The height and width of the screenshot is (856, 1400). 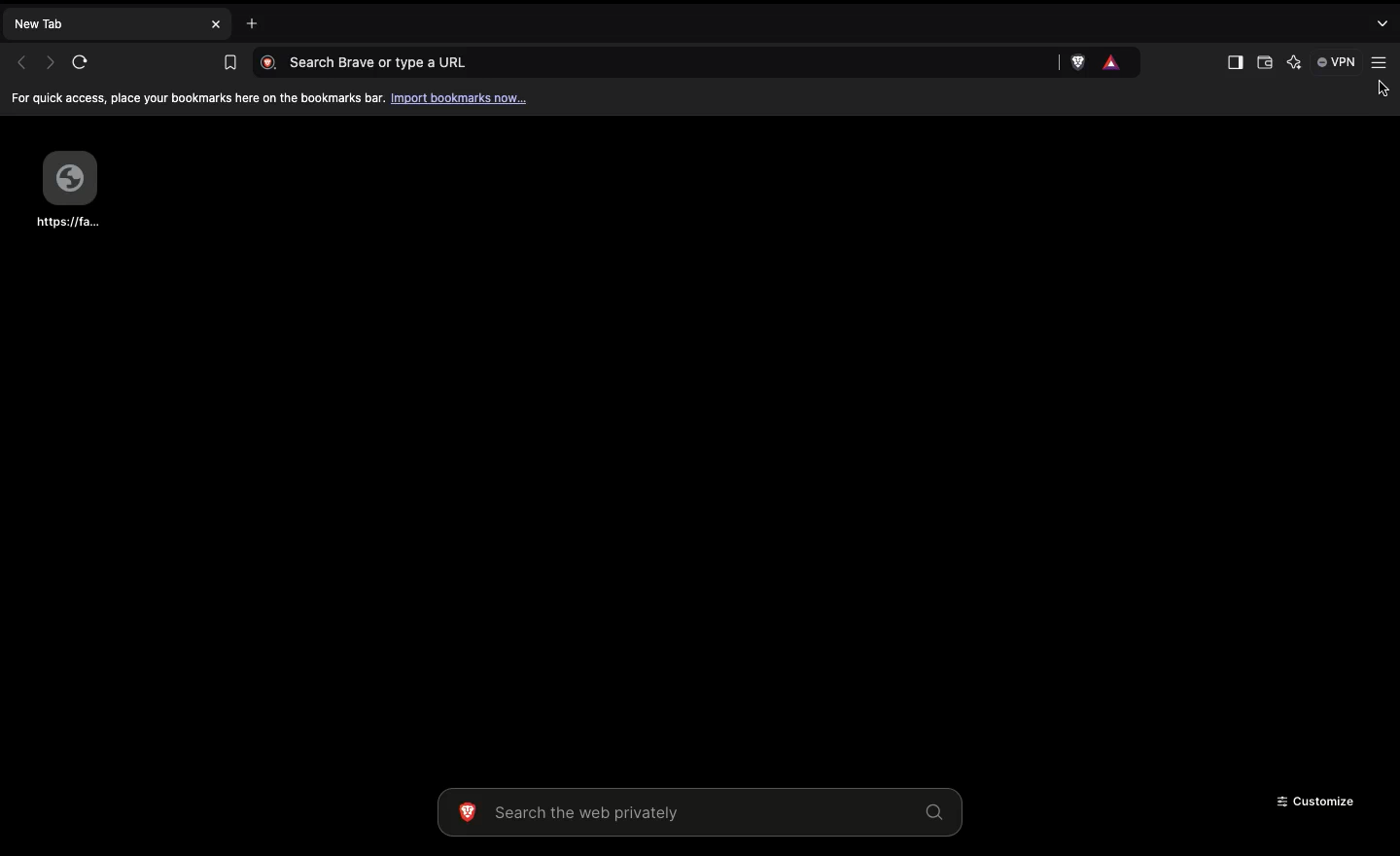 I want to click on Customize, so click(x=1312, y=804).